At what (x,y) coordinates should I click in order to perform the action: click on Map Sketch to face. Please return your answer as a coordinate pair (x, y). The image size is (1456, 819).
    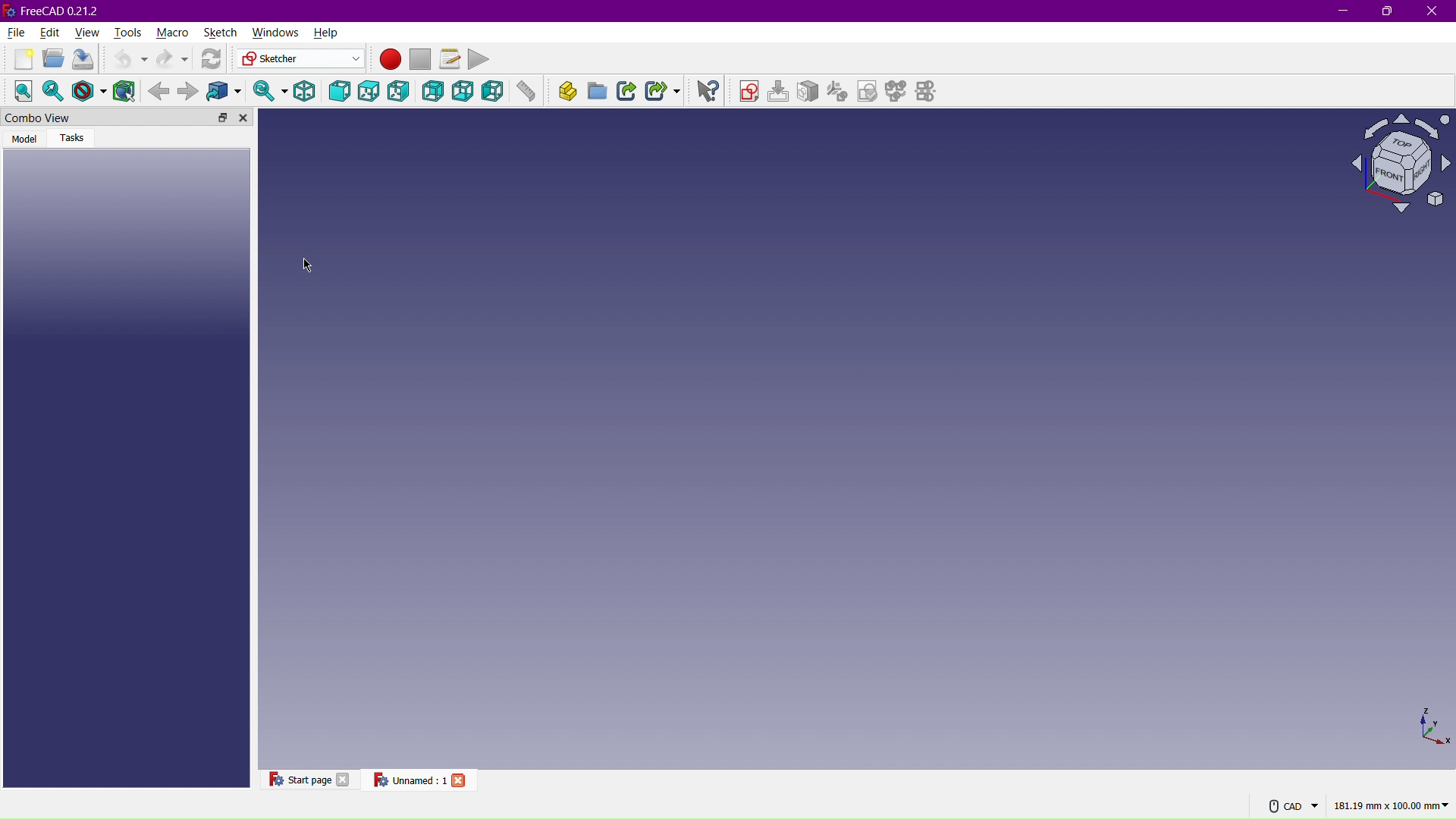
    Looking at the image, I should click on (810, 91).